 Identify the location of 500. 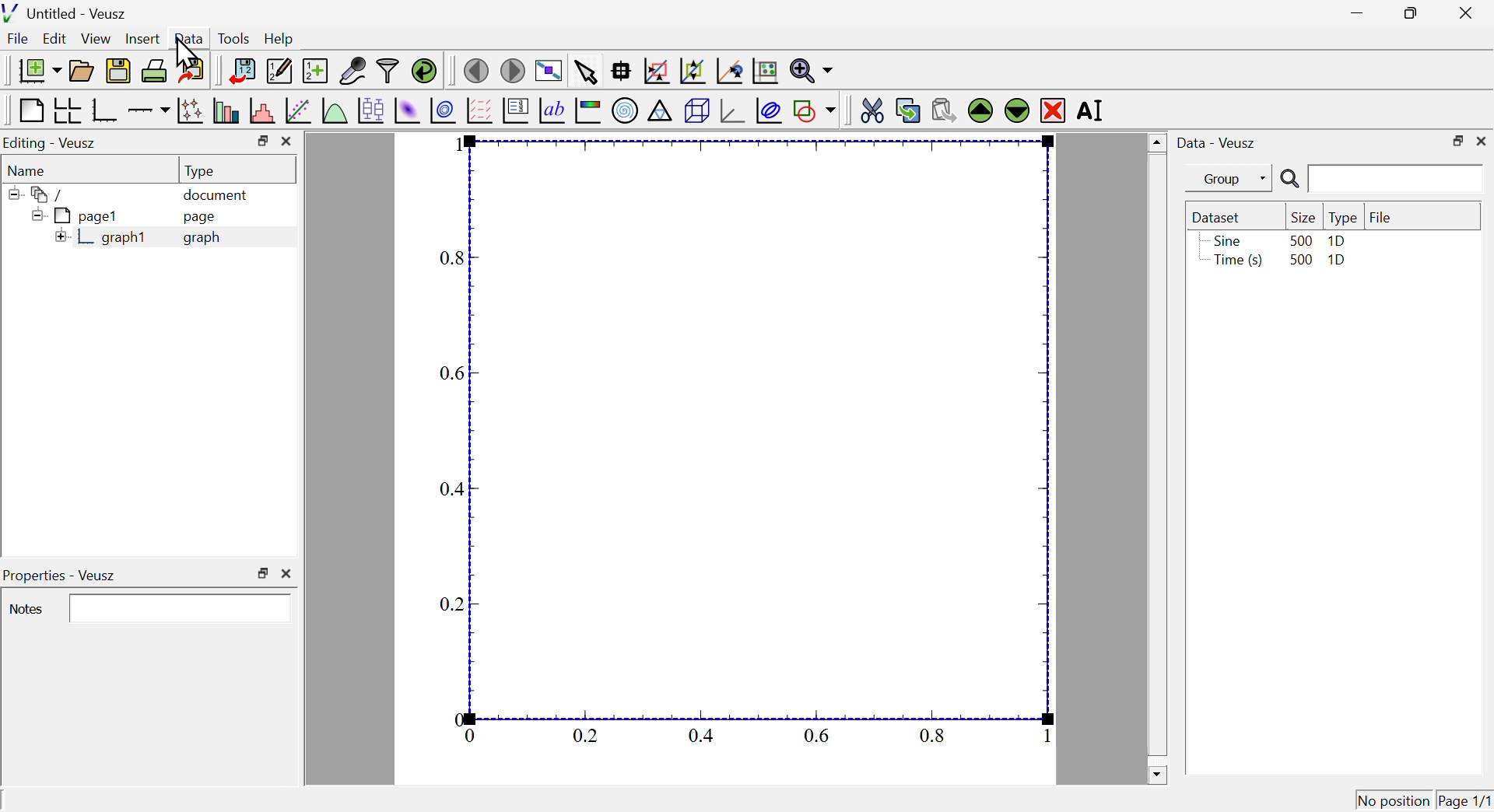
(1300, 240).